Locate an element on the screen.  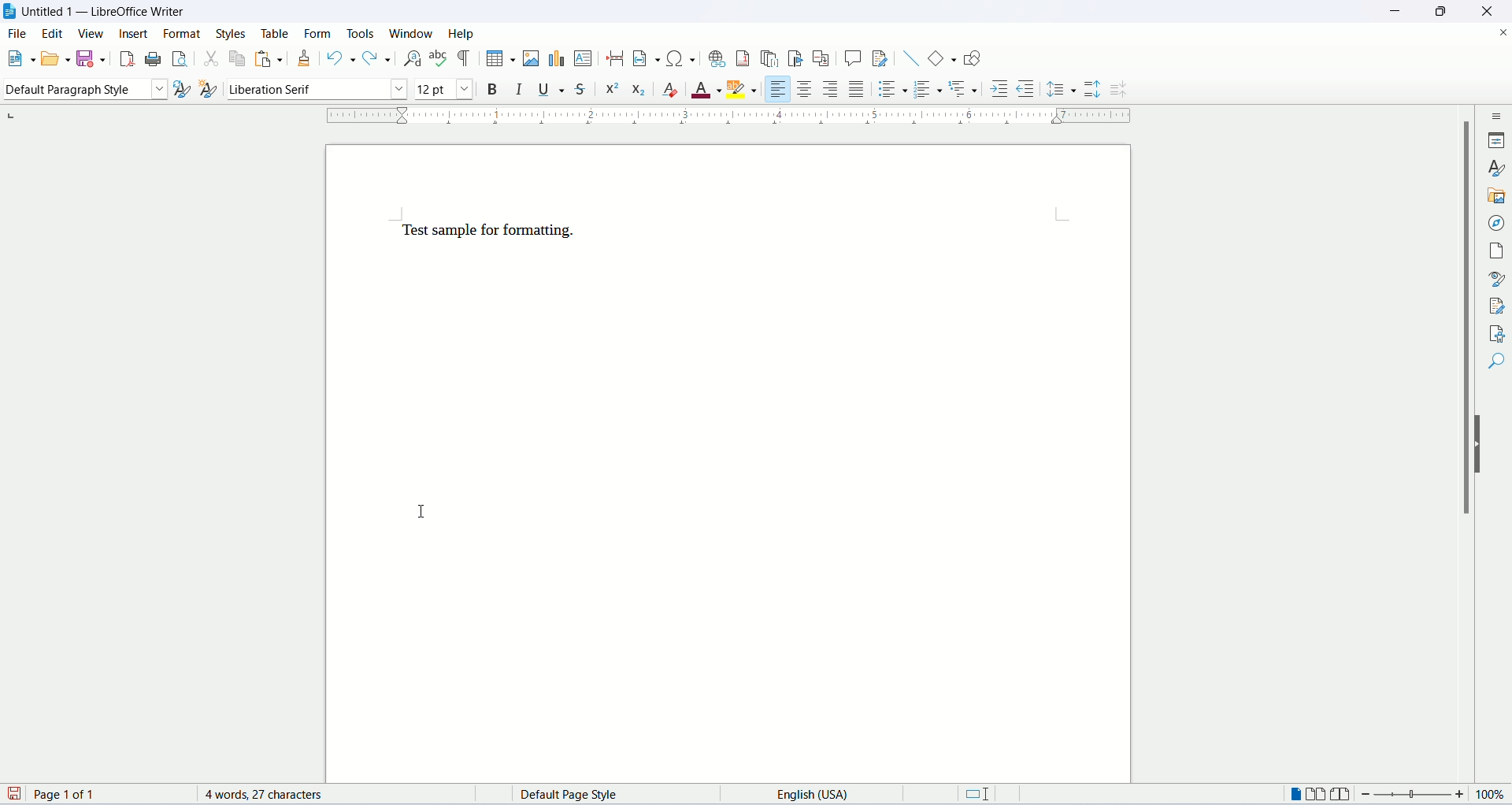
table is located at coordinates (272, 32).